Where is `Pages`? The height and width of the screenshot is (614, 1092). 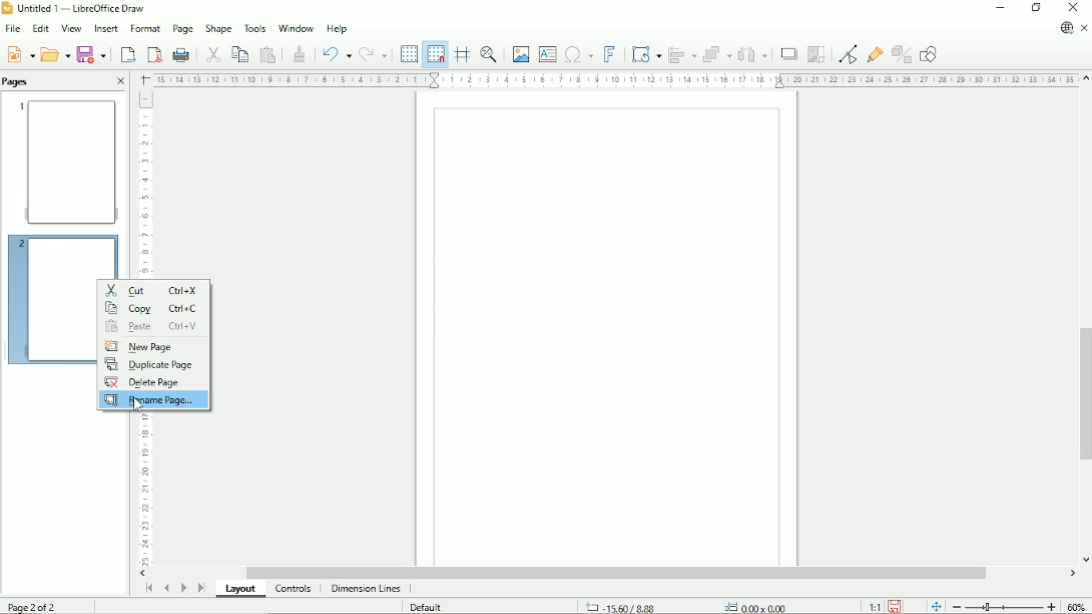 Pages is located at coordinates (18, 81).